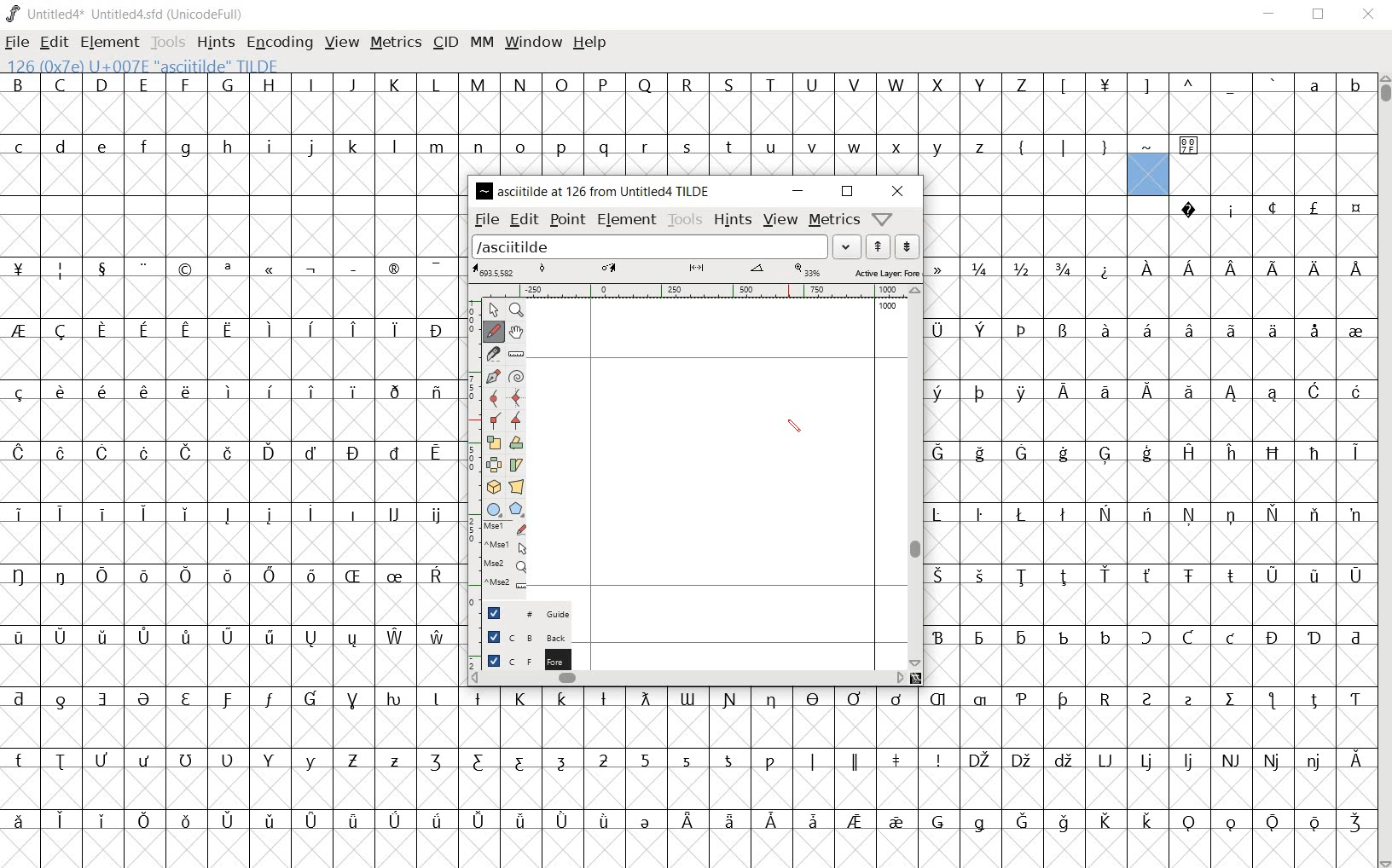 Image resolution: width=1392 pixels, height=868 pixels. I want to click on add a point, then drag out its control points, so click(491, 375).